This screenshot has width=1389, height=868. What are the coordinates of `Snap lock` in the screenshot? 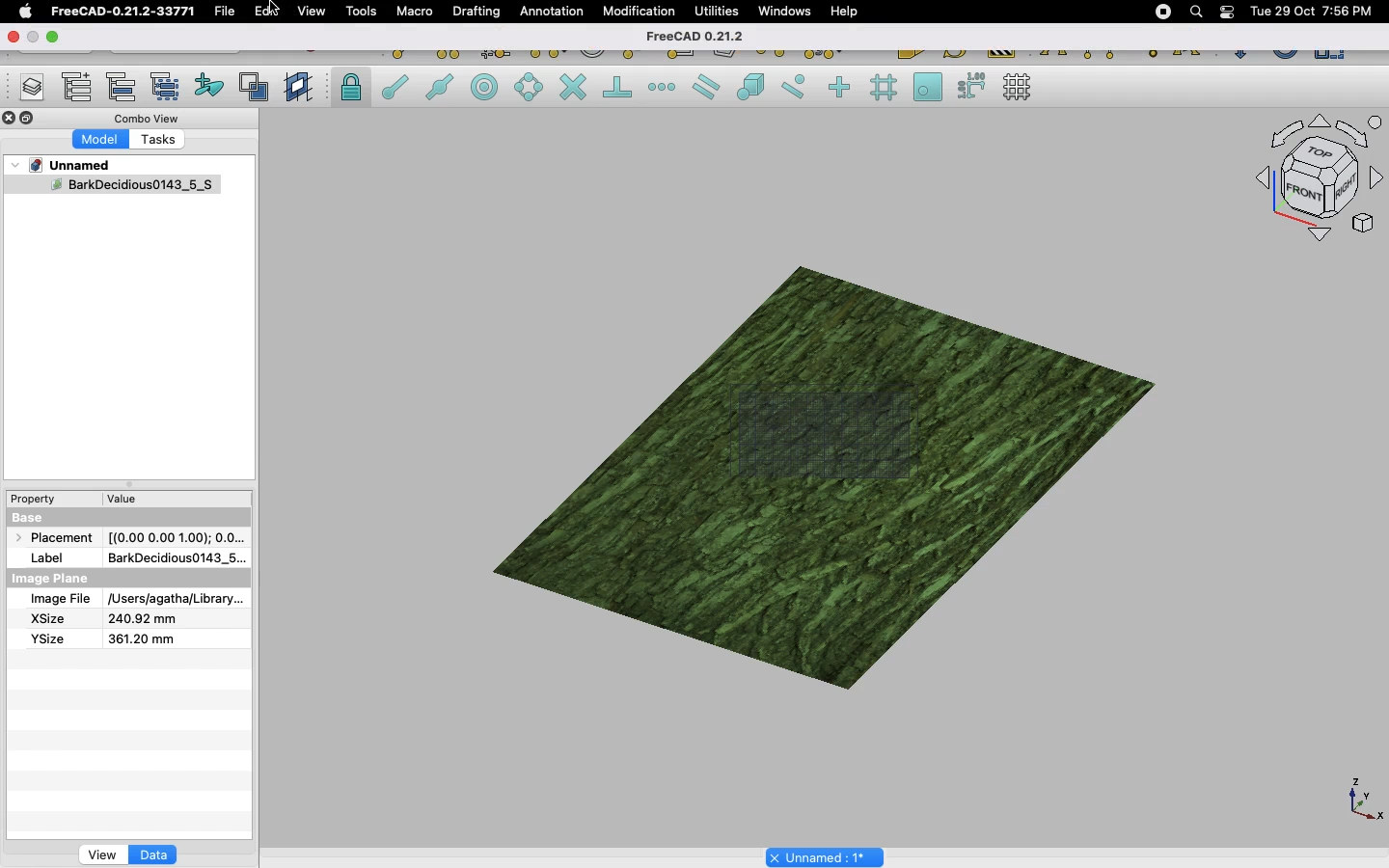 It's located at (353, 87).